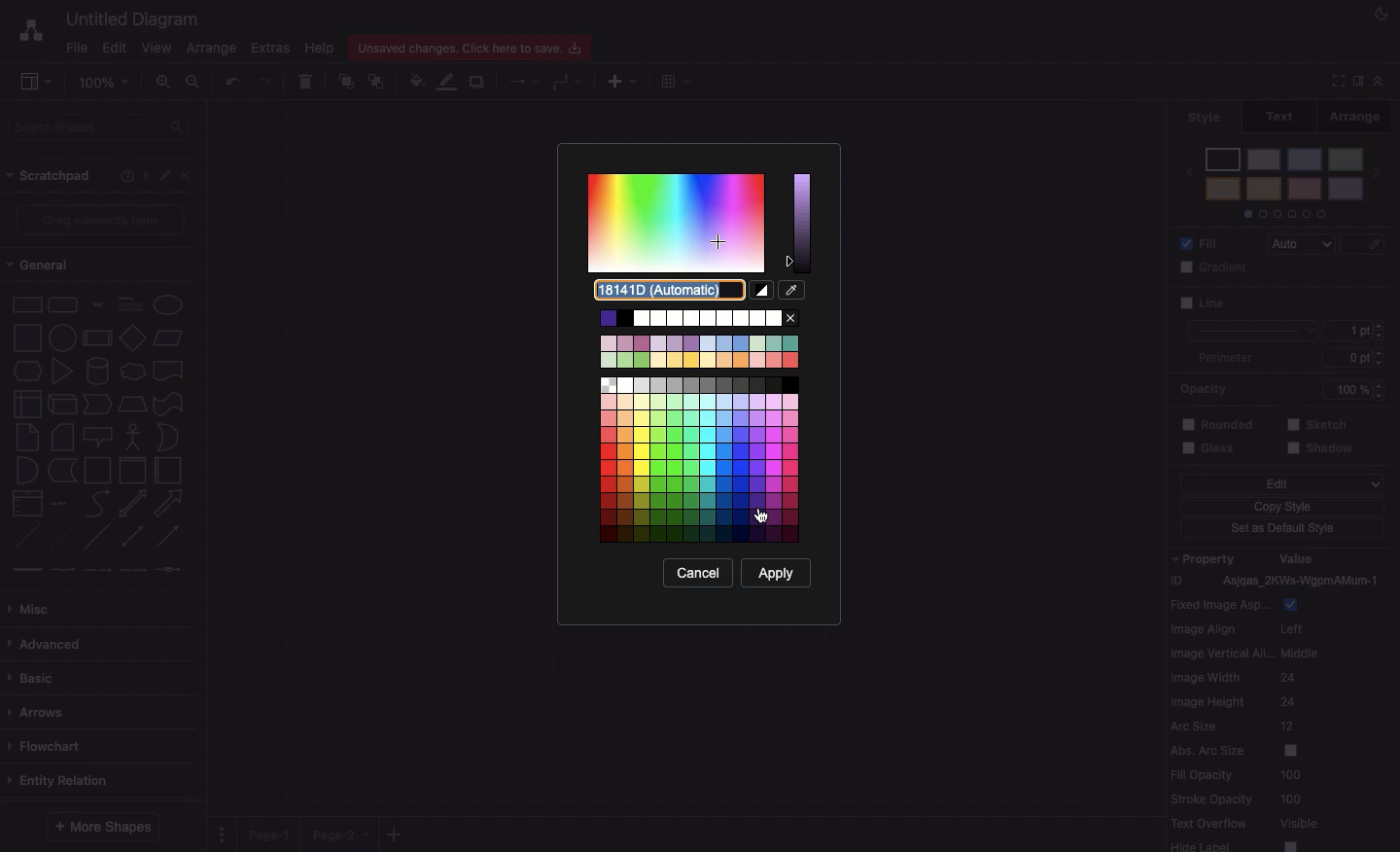 This screenshot has height=852, width=1400. What do you see at coordinates (25, 336) in the screenshot?
I see `square` at bounding box center [25, 336].